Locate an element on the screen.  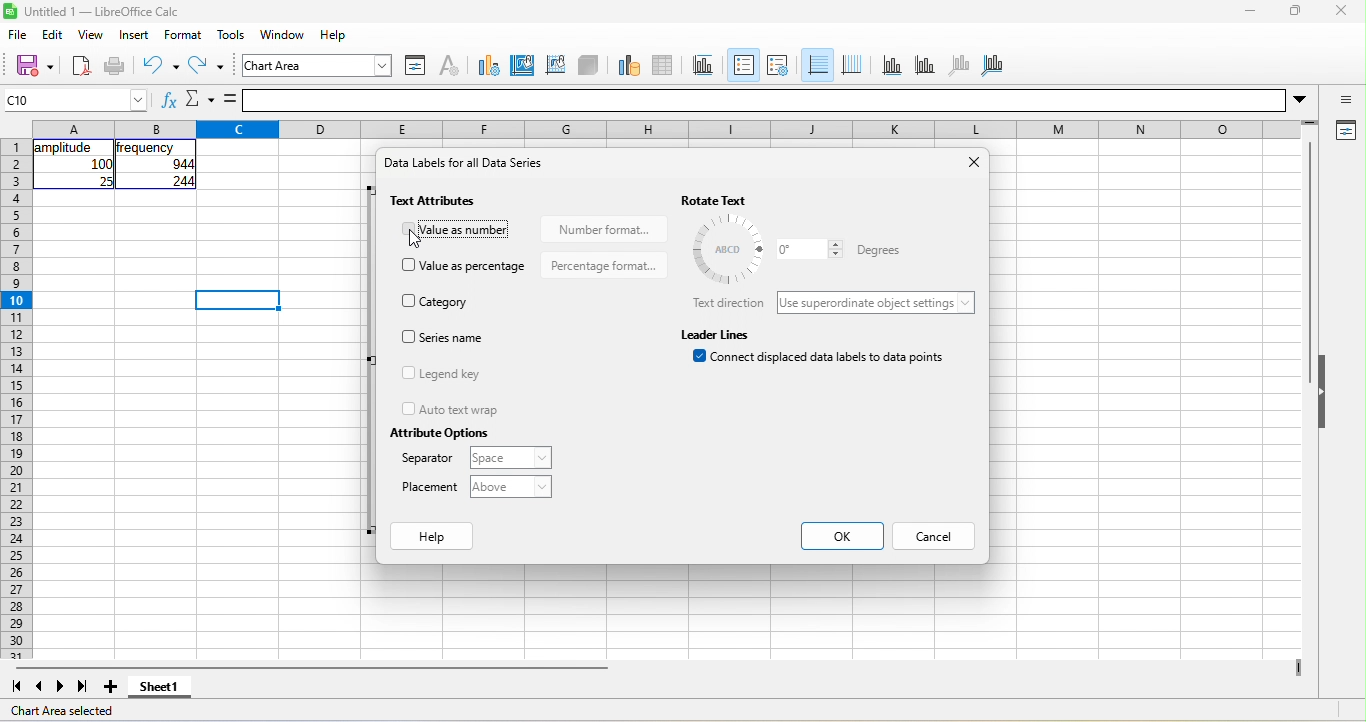
space is located at coordinates (508, 458).